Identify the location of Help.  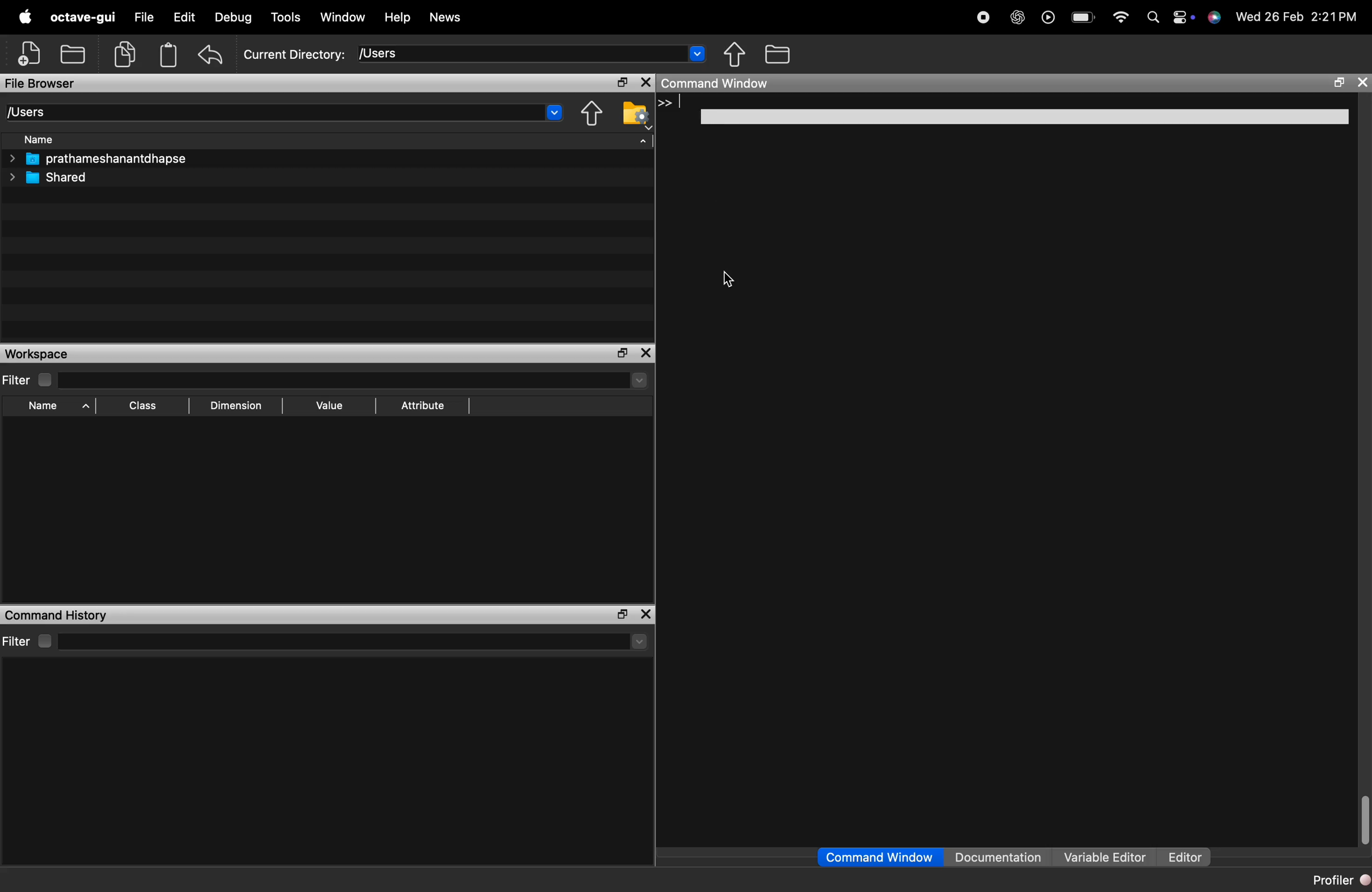
(400, 17).